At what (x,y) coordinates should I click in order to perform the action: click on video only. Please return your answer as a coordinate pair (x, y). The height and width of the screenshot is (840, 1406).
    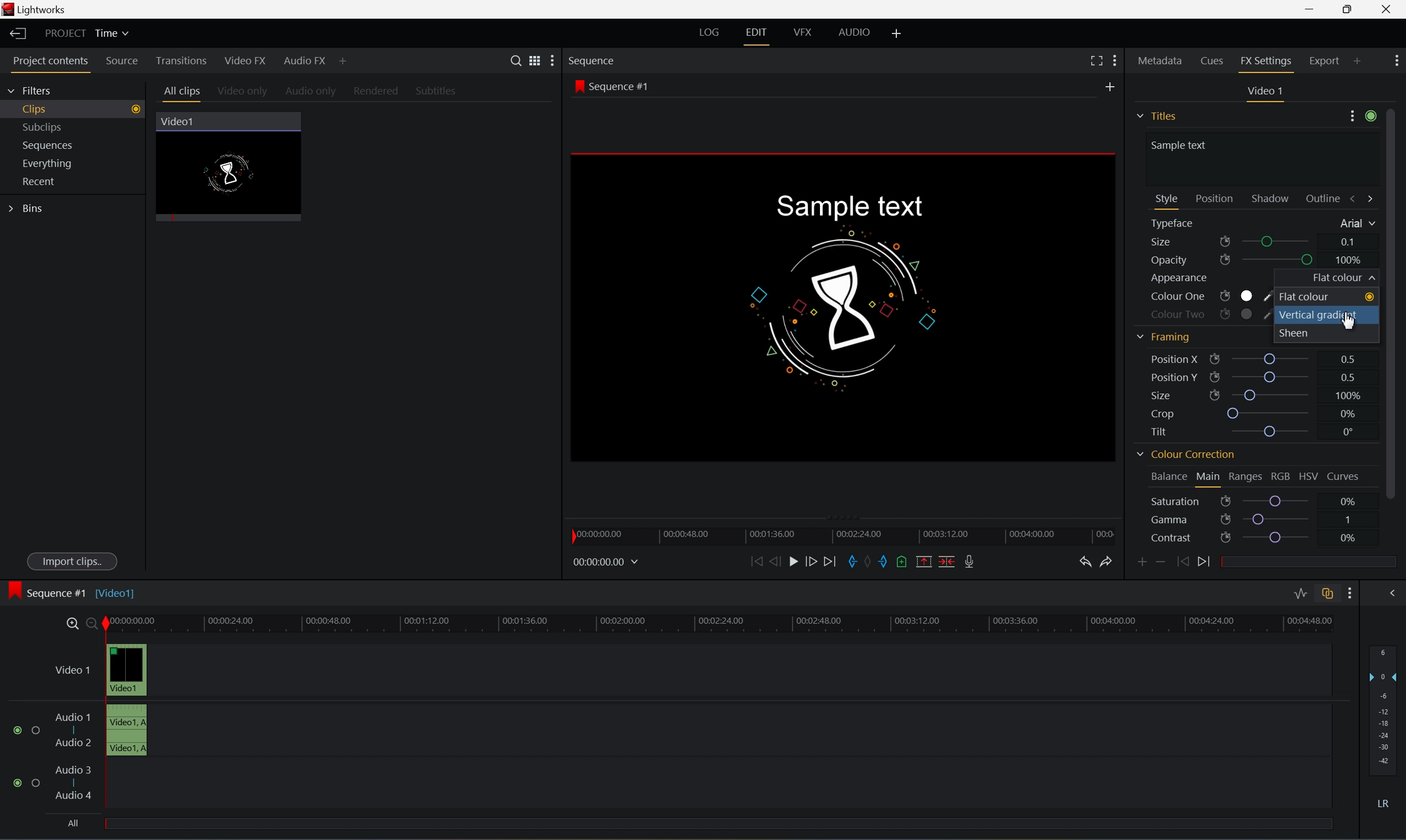
    Looking at the image, I should click on (243, 92).